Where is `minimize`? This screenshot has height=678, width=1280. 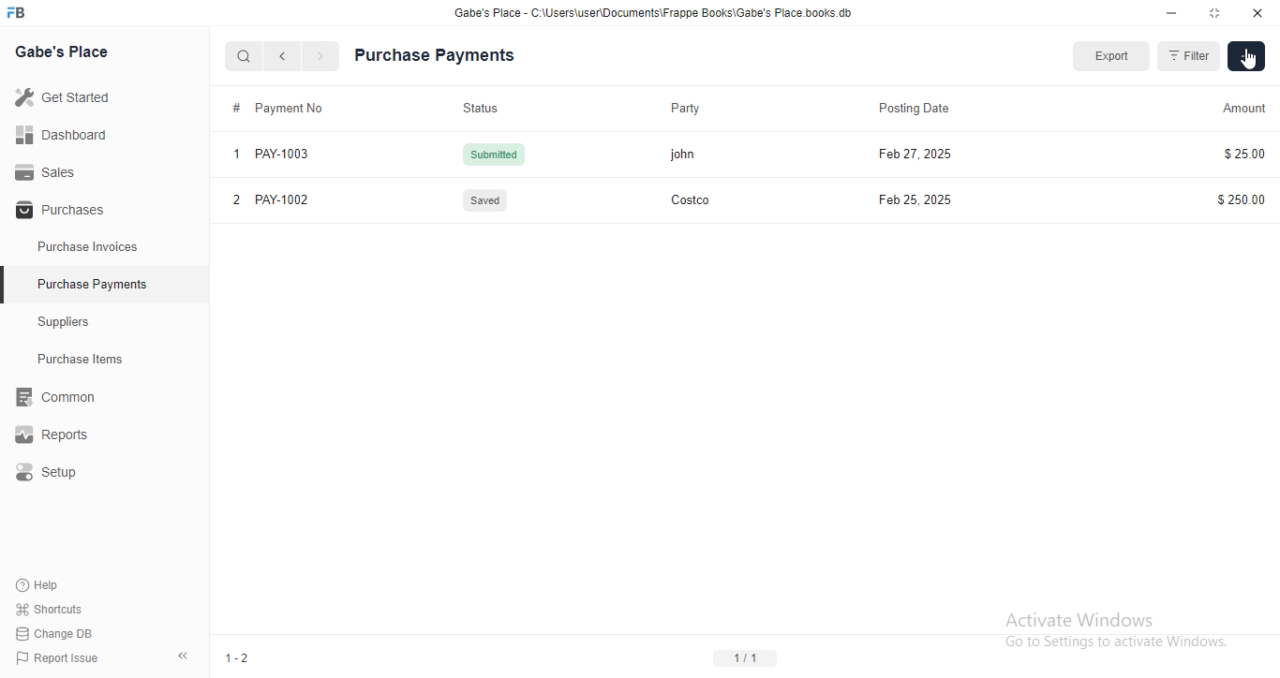 minimize is located at coordinates (1166, 12).